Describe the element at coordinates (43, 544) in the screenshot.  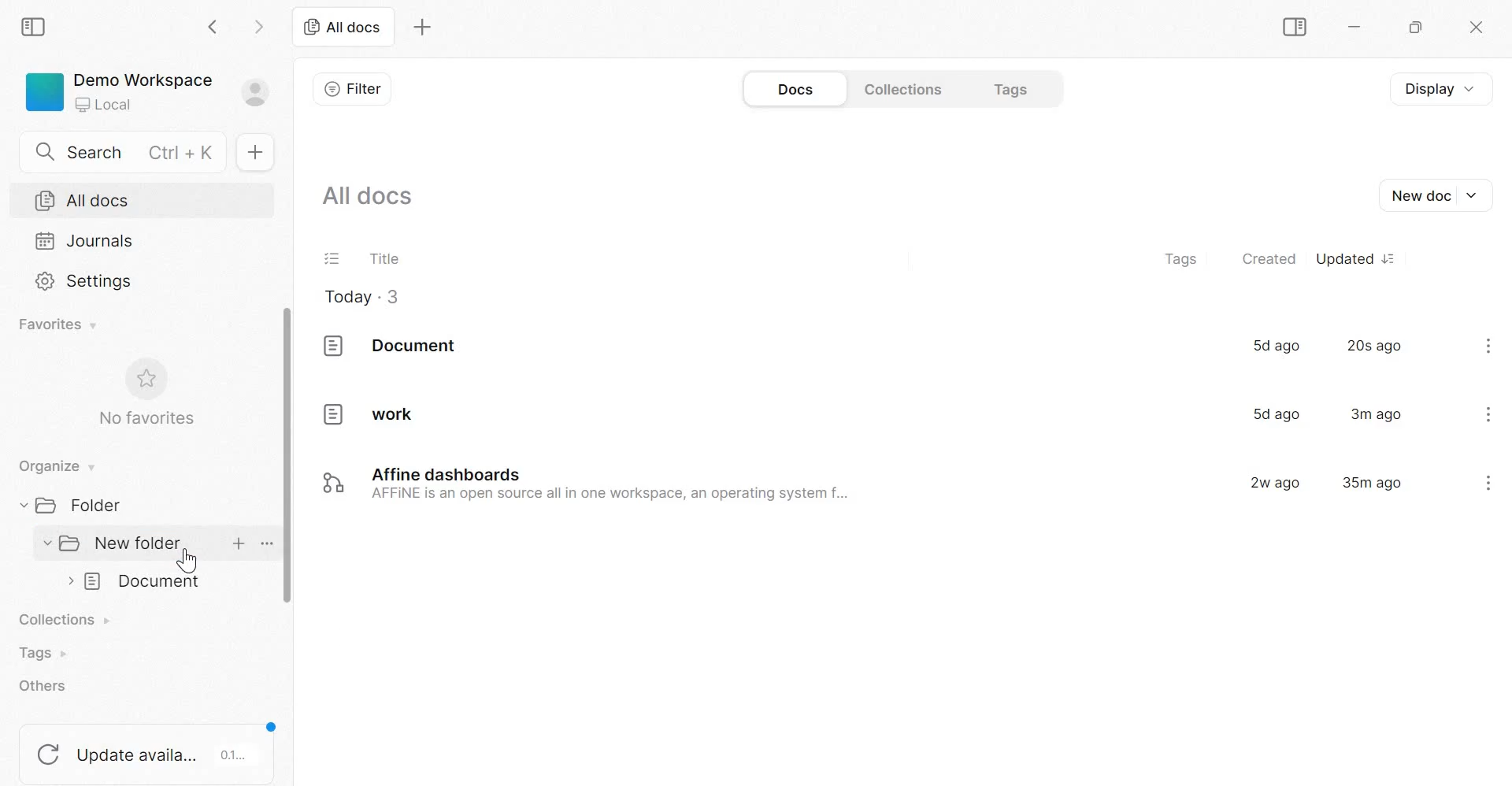
I see `collapse/expand` at that location.